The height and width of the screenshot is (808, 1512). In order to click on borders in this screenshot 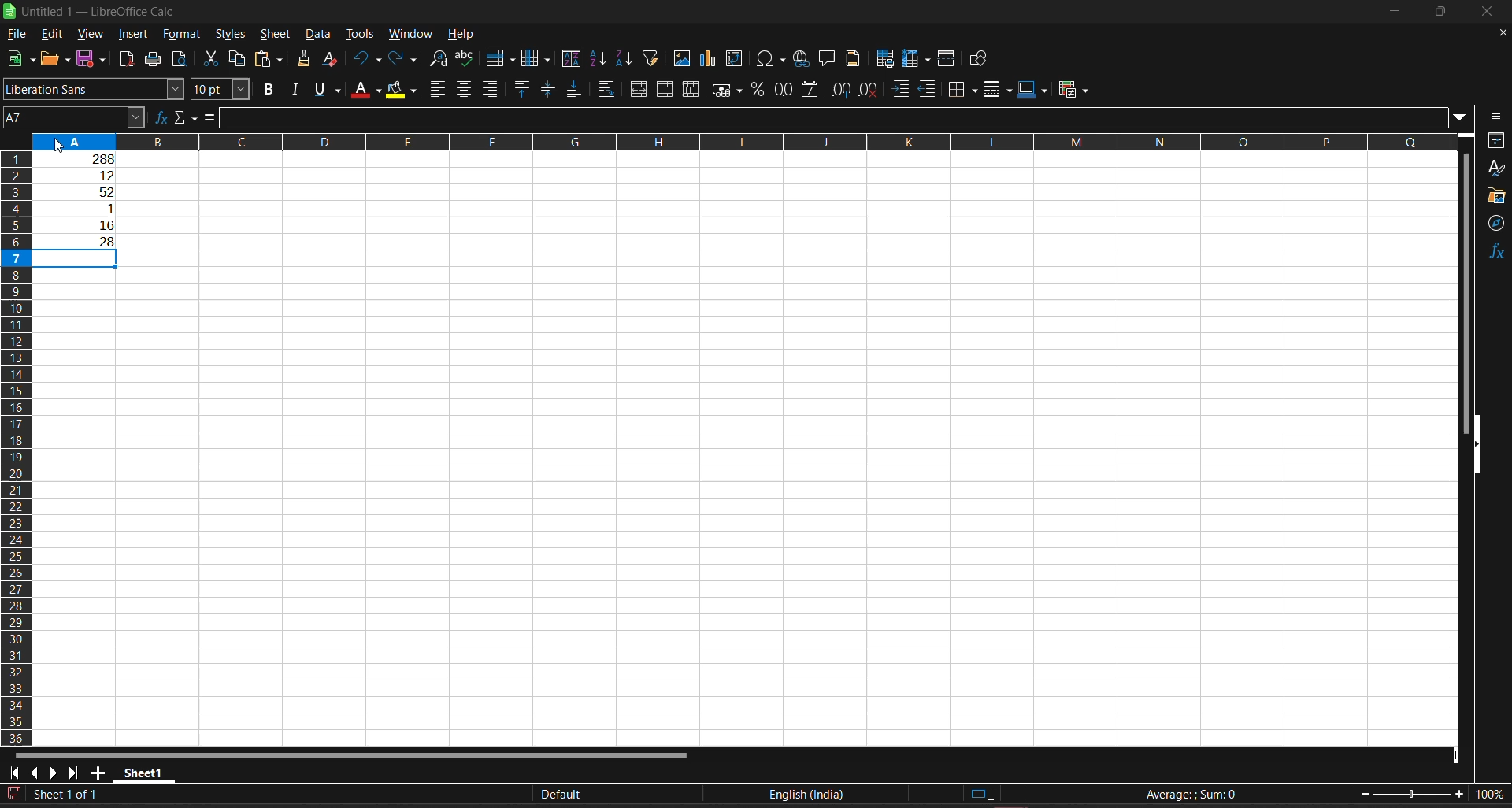, I will do `click(962, 89)`.